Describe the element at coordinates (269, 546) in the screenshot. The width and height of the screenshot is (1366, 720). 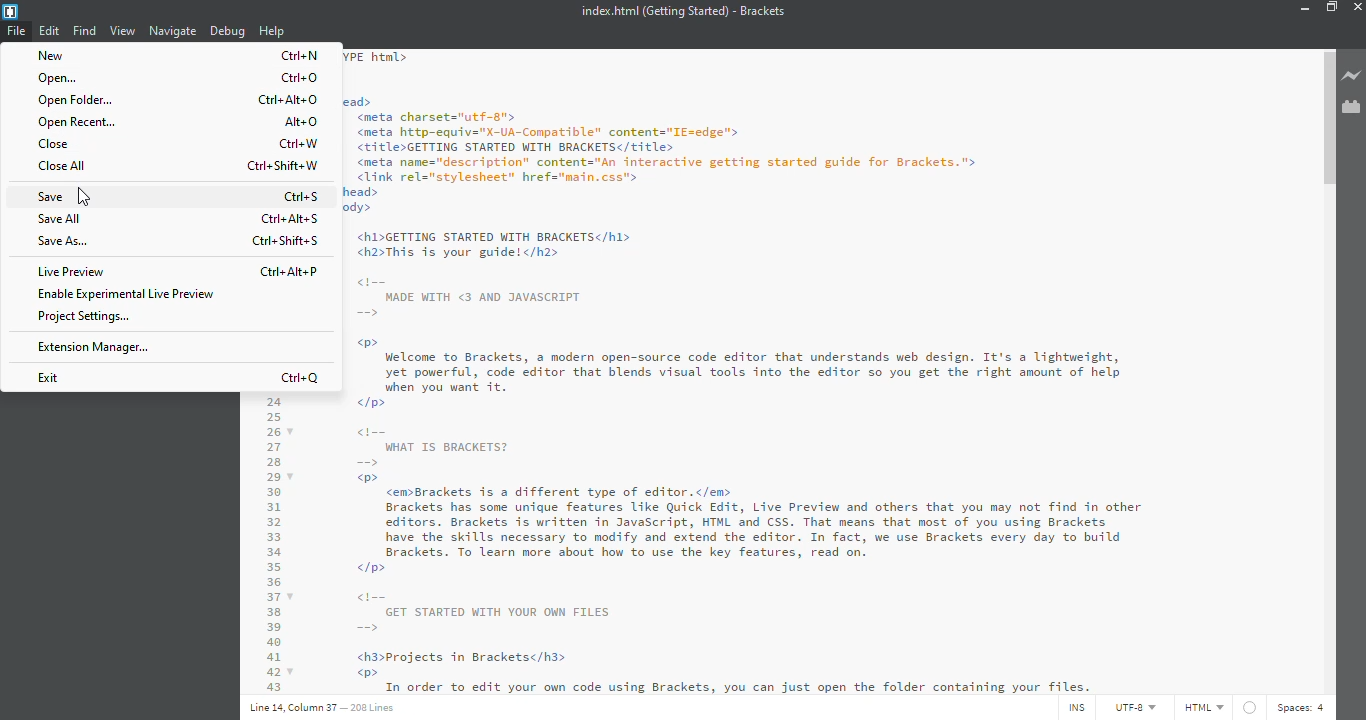
I see `code line` at that location.